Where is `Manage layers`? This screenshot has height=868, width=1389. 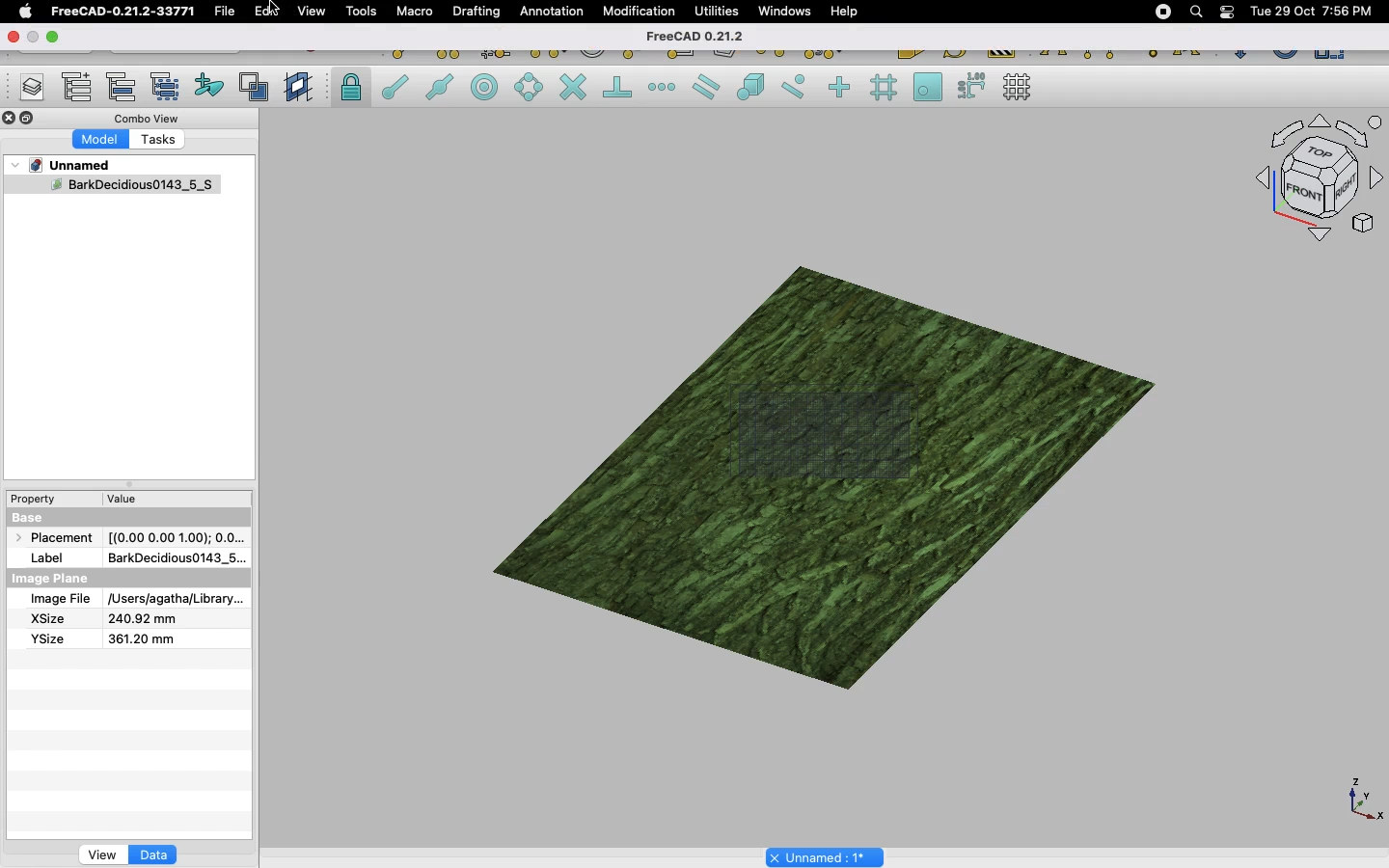 Manage layers is located at coordinates (25, 89).